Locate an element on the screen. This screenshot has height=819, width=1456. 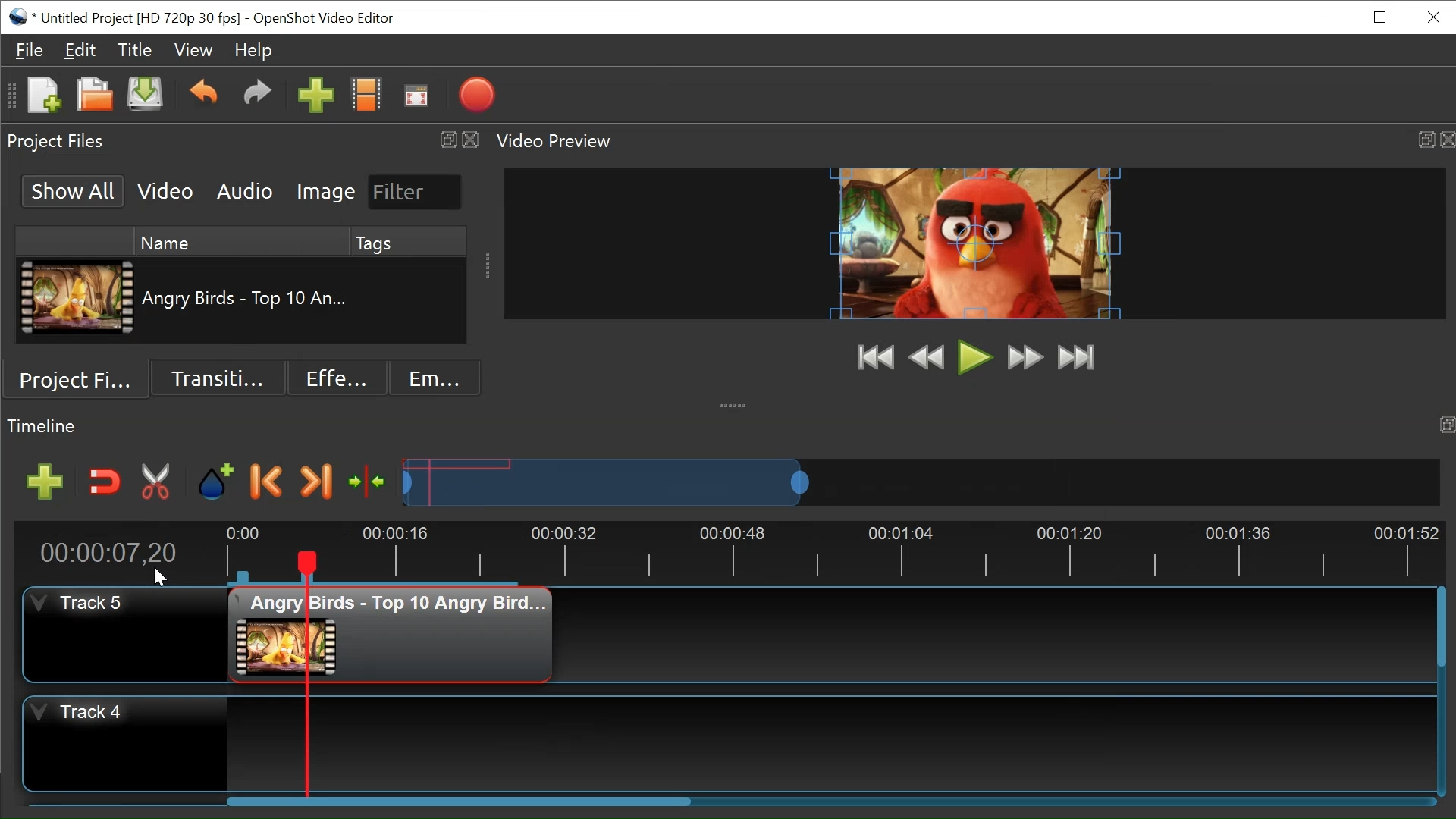
Audio is located at coordinates (247, 191).